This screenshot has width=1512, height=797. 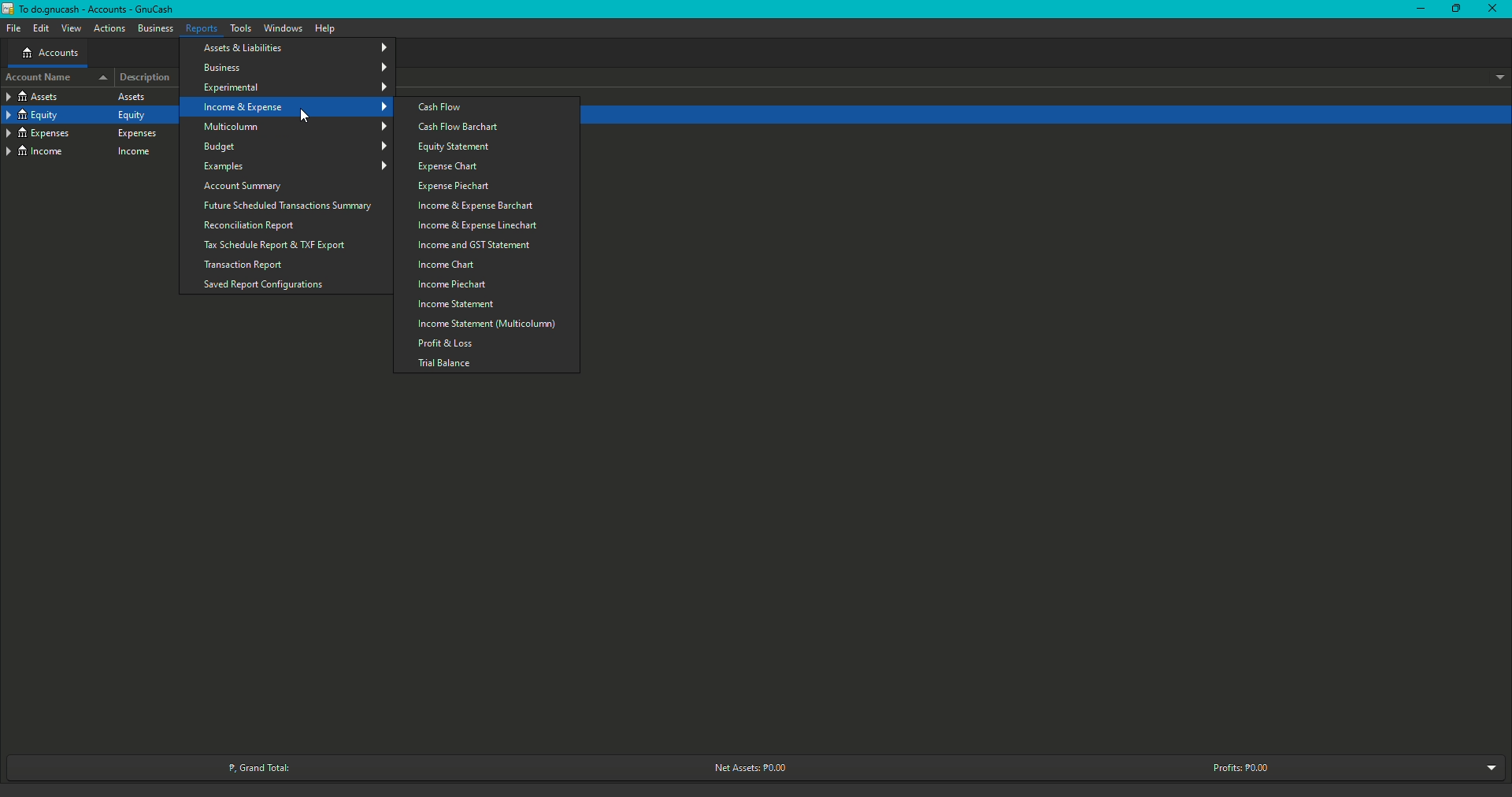 I want to click on Account Summary, so click(x=246, y=186).